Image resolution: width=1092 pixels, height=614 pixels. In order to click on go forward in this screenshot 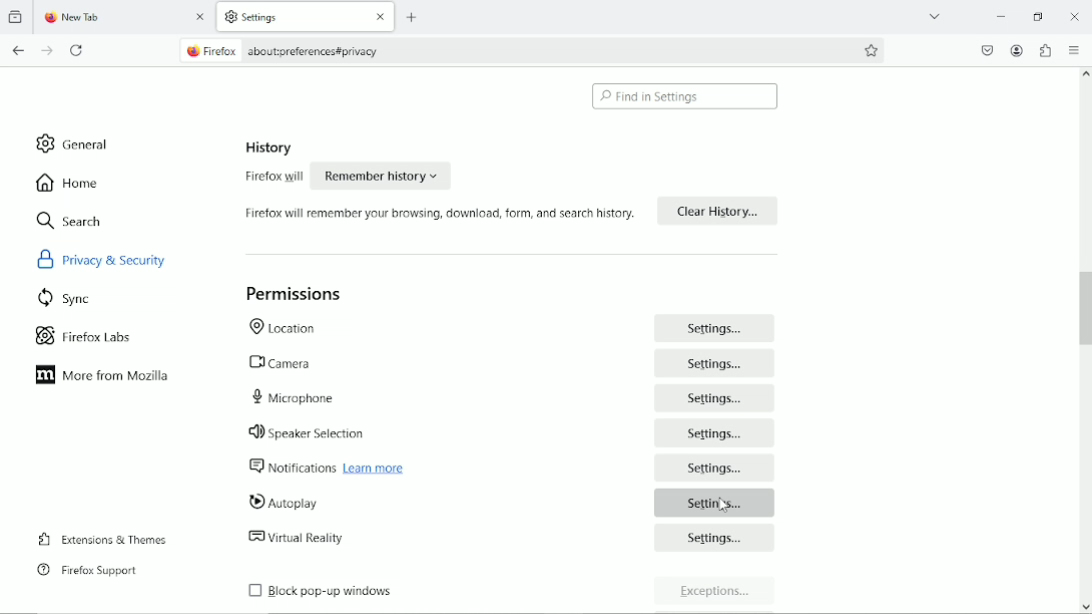, I will do `click(48, 51)`.